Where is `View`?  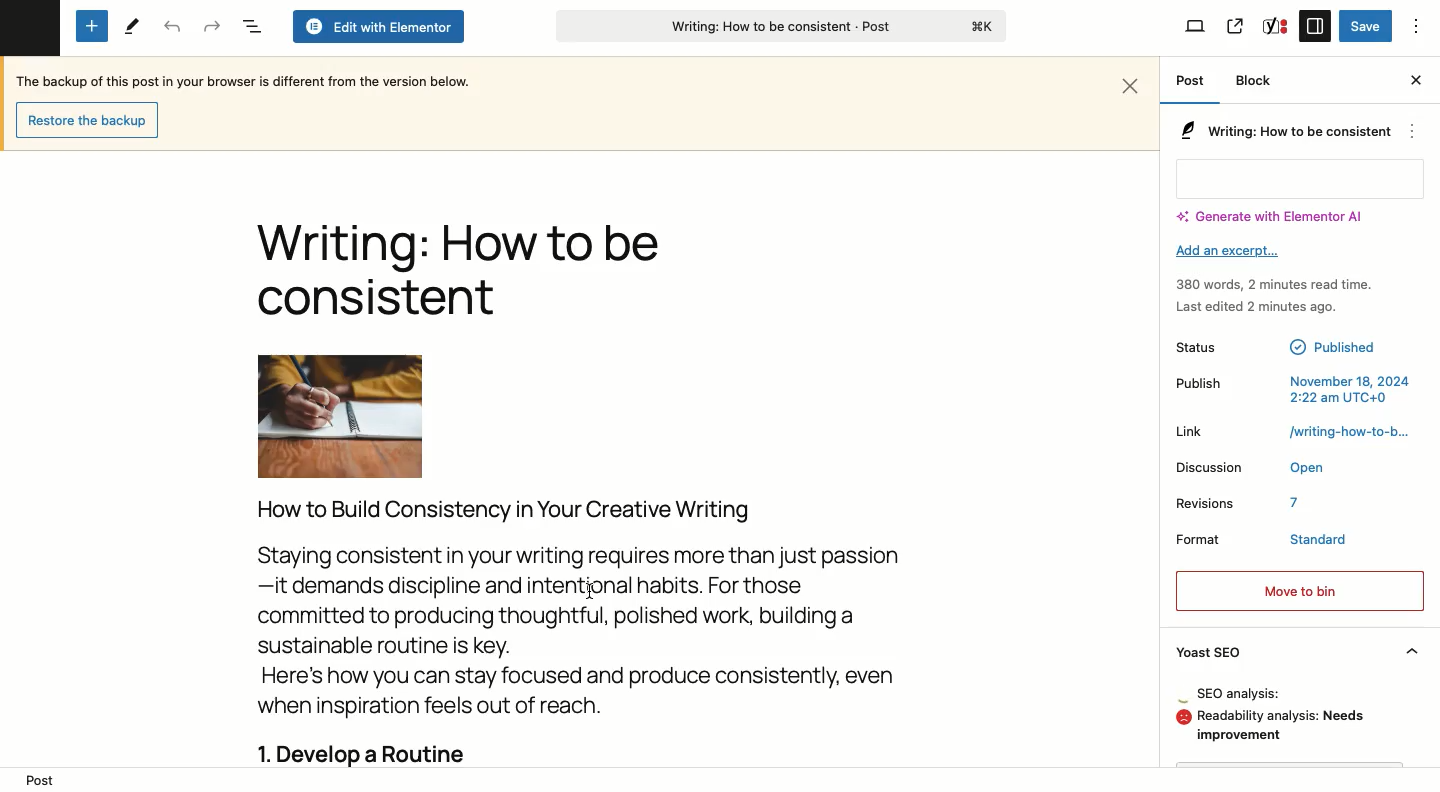 View is located at coordinates (1196, 28).